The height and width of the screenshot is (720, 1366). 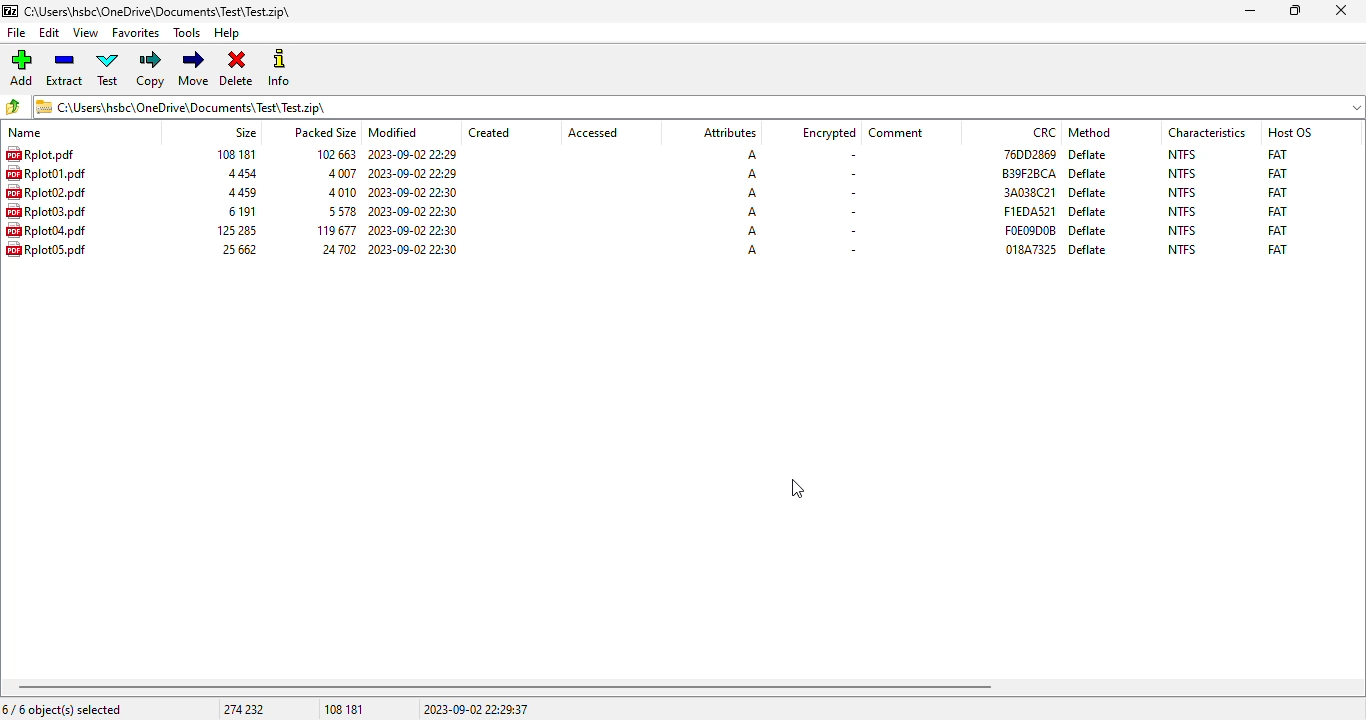 What do you see at coordinates (1029, 192) in the screenshot?
I see `CRC` at bounding box center [1029, 192].